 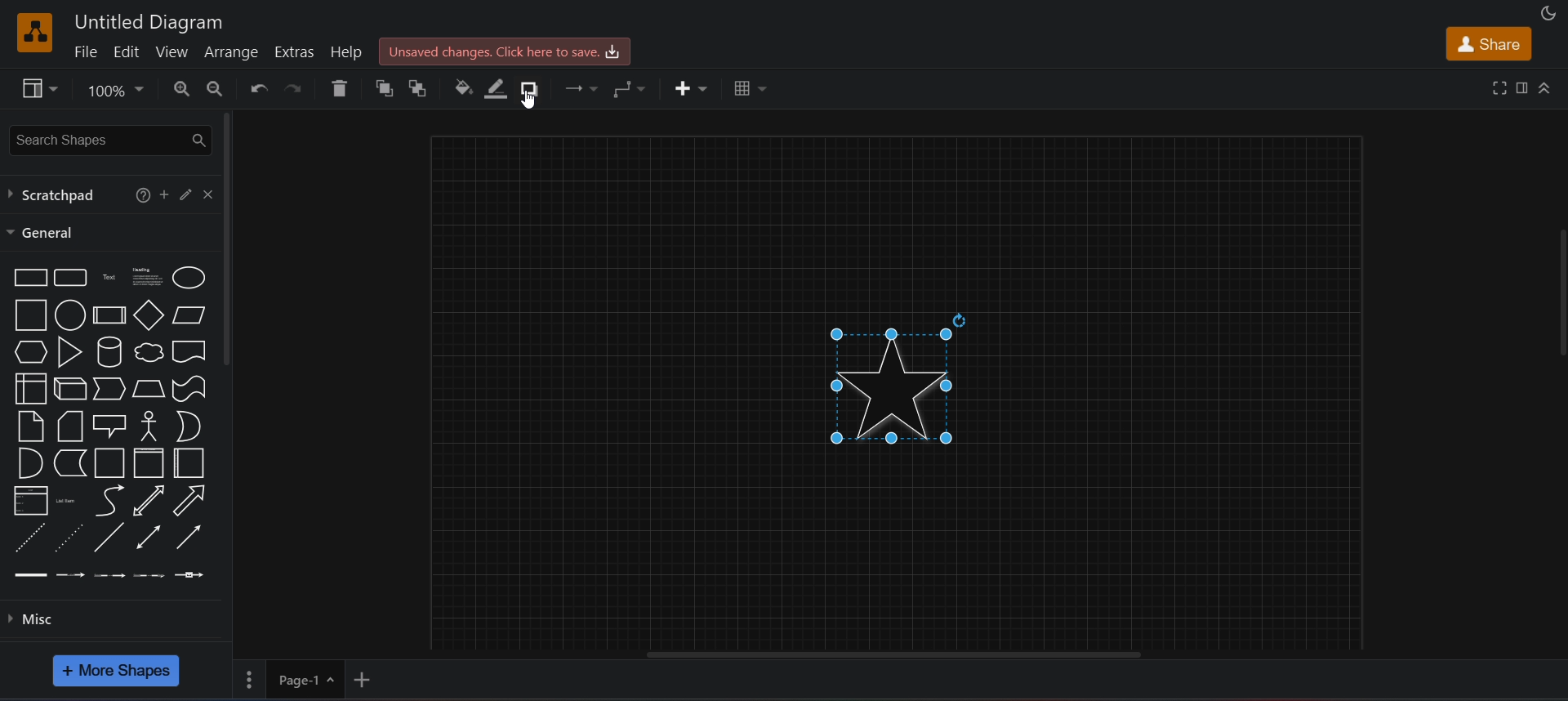 What do you see at coordinates (132, 50) in the screenshot?
I see `edit` at bounding box center [132, 50].